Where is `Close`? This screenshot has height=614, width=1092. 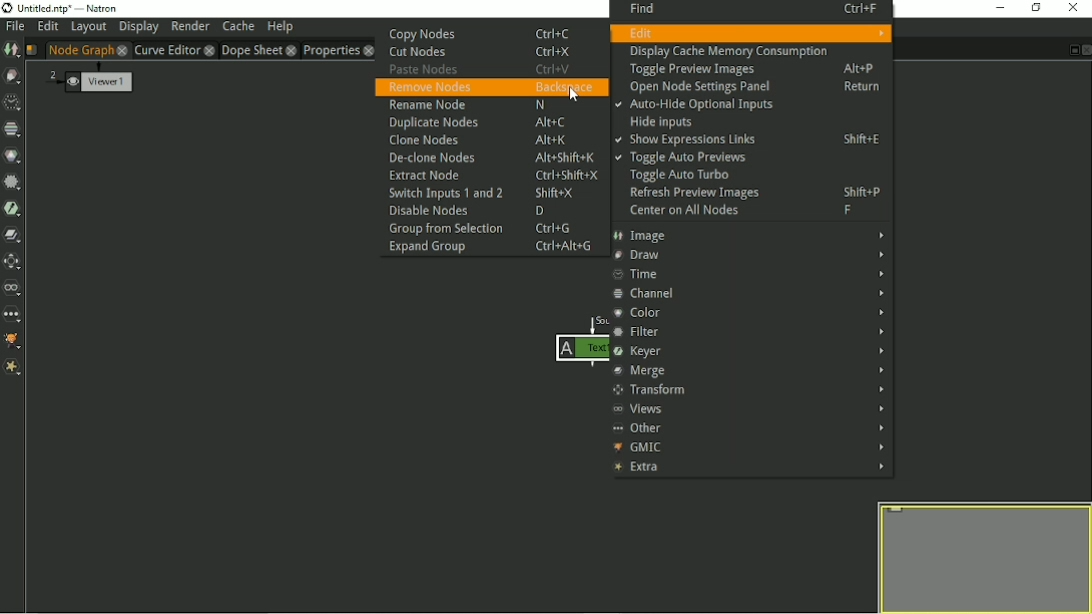 Close is located at coordinates (1085, 50).